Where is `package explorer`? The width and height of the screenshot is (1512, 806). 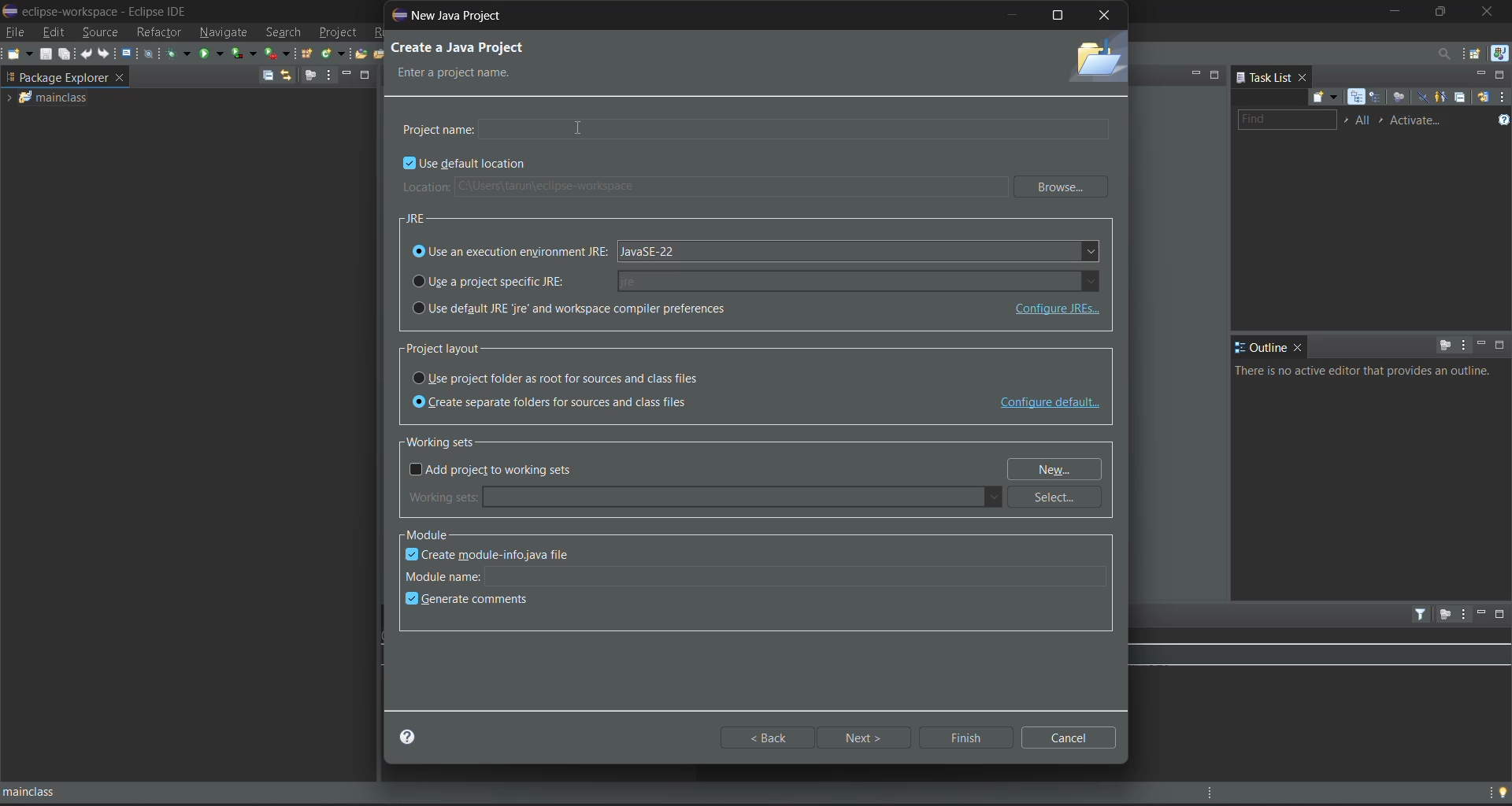 package explorer is located at coordinates (82, 76).